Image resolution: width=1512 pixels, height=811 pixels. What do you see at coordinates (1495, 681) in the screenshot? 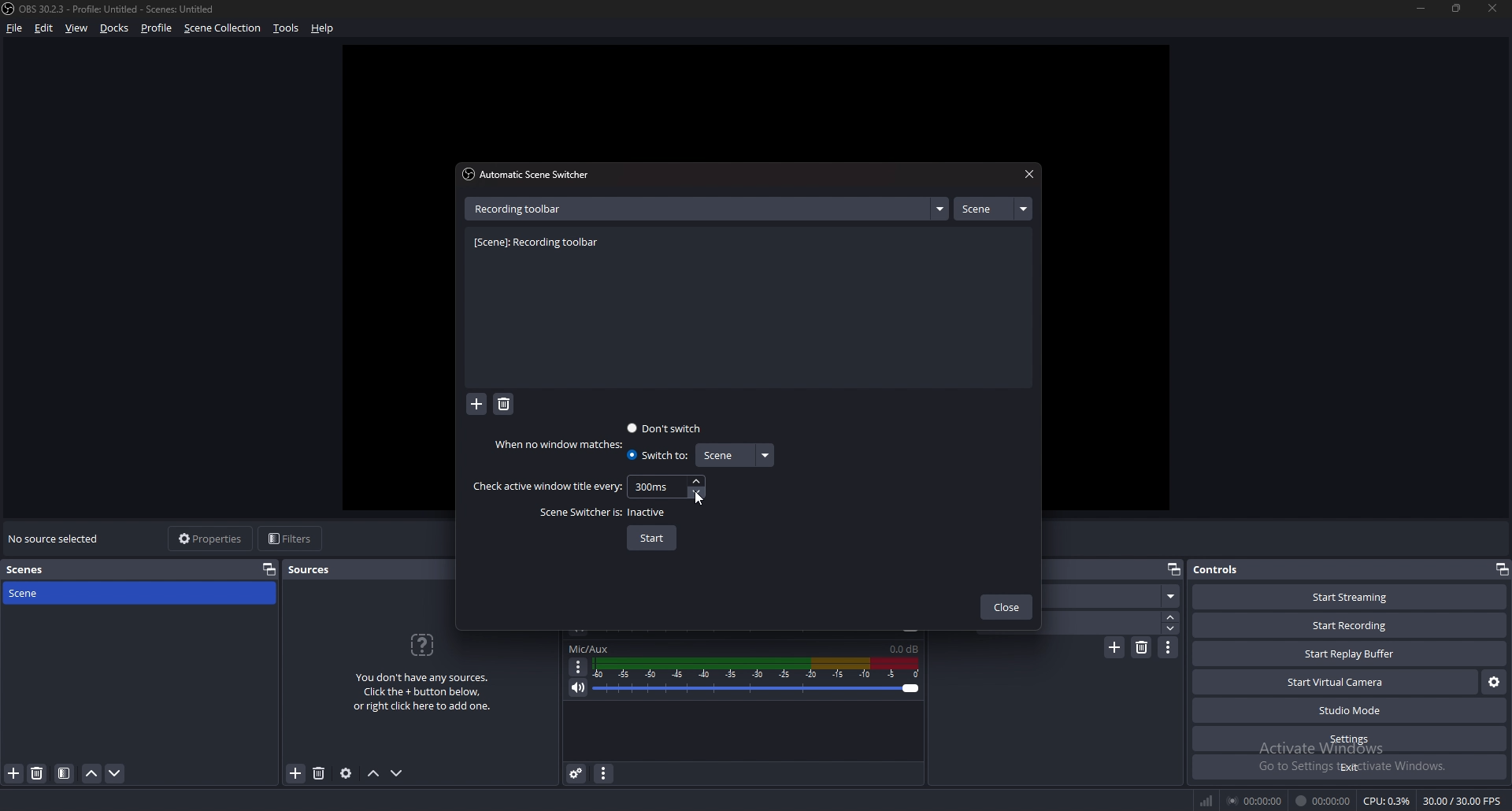
I see `configure virtual camera` at bounding box center [1495, 681].